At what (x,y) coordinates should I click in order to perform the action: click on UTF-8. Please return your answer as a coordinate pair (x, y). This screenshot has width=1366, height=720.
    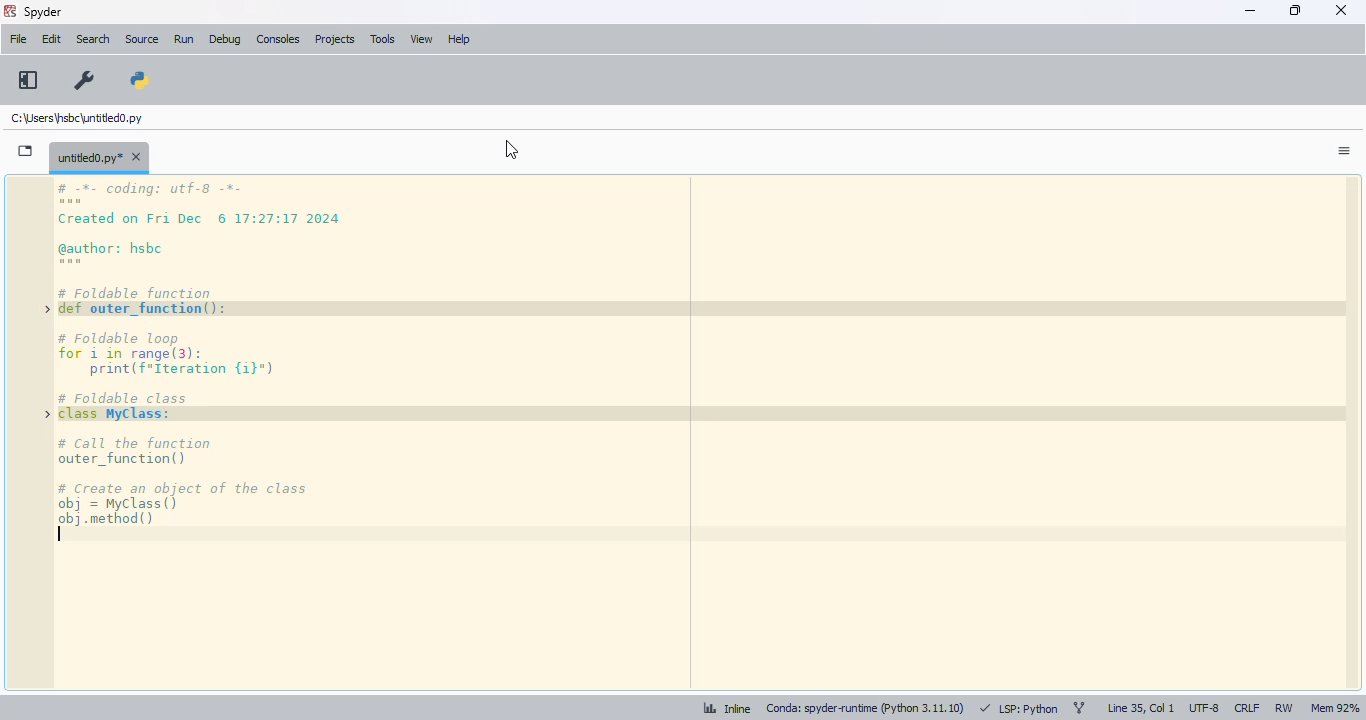
    Looking at the image, I should click on (1205, 709).